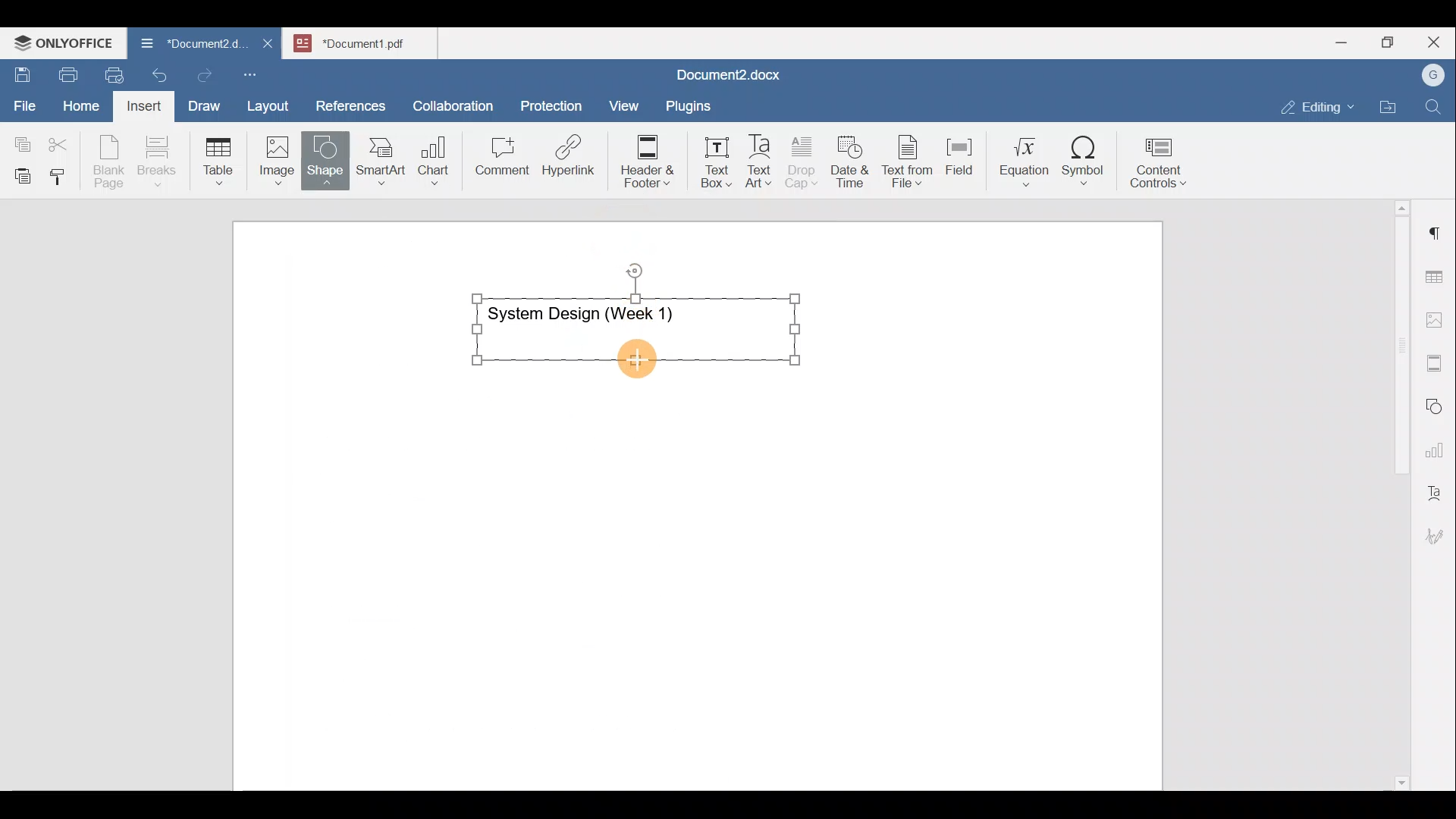  Describe the element at coordinates (63, 173) in the screenshot. I see `Copy style` at that location.